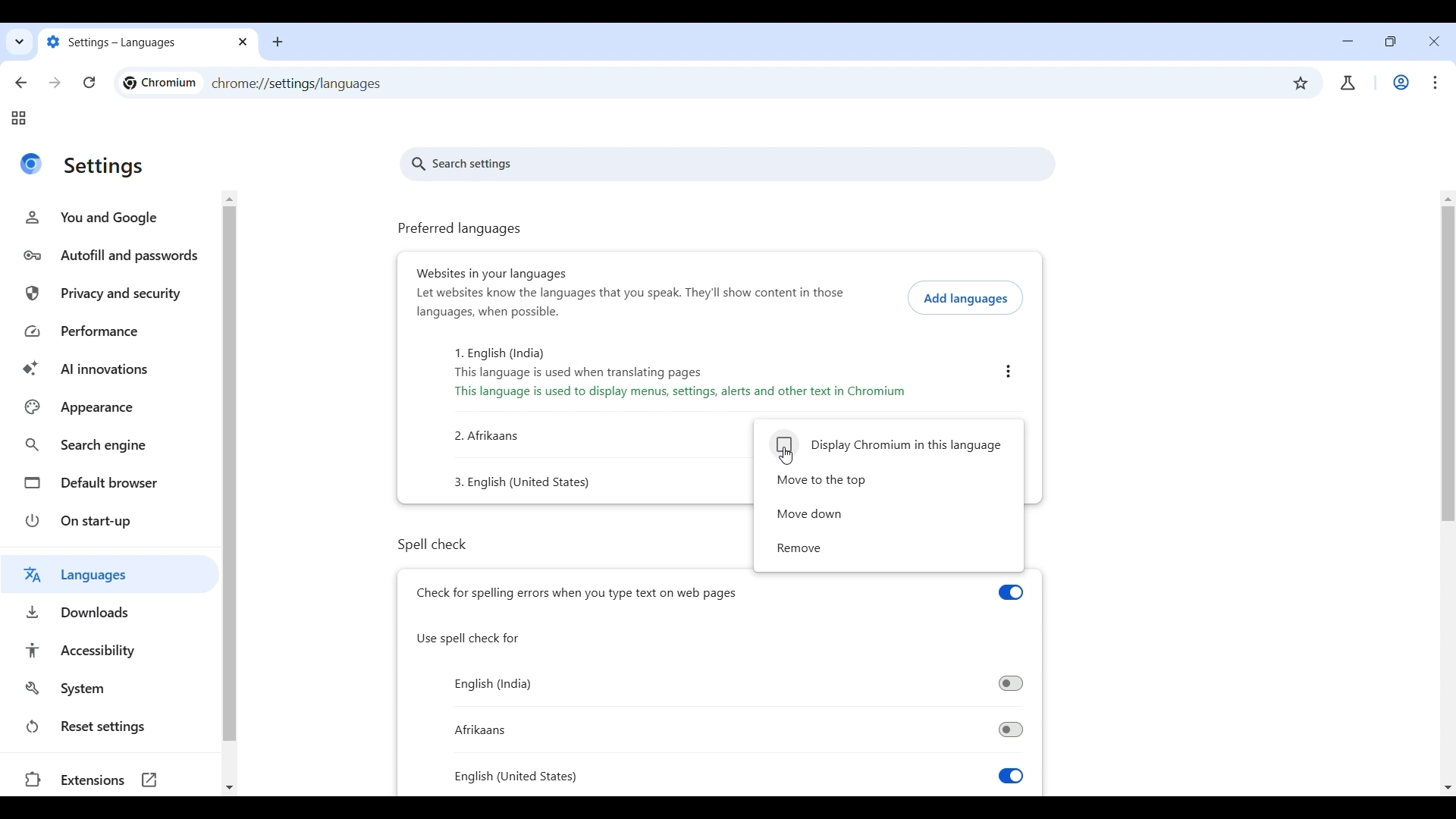  What do you see at coordinates (965, 298) in the screenshot?
I see `Add languages` at bounding box center [965, 298].